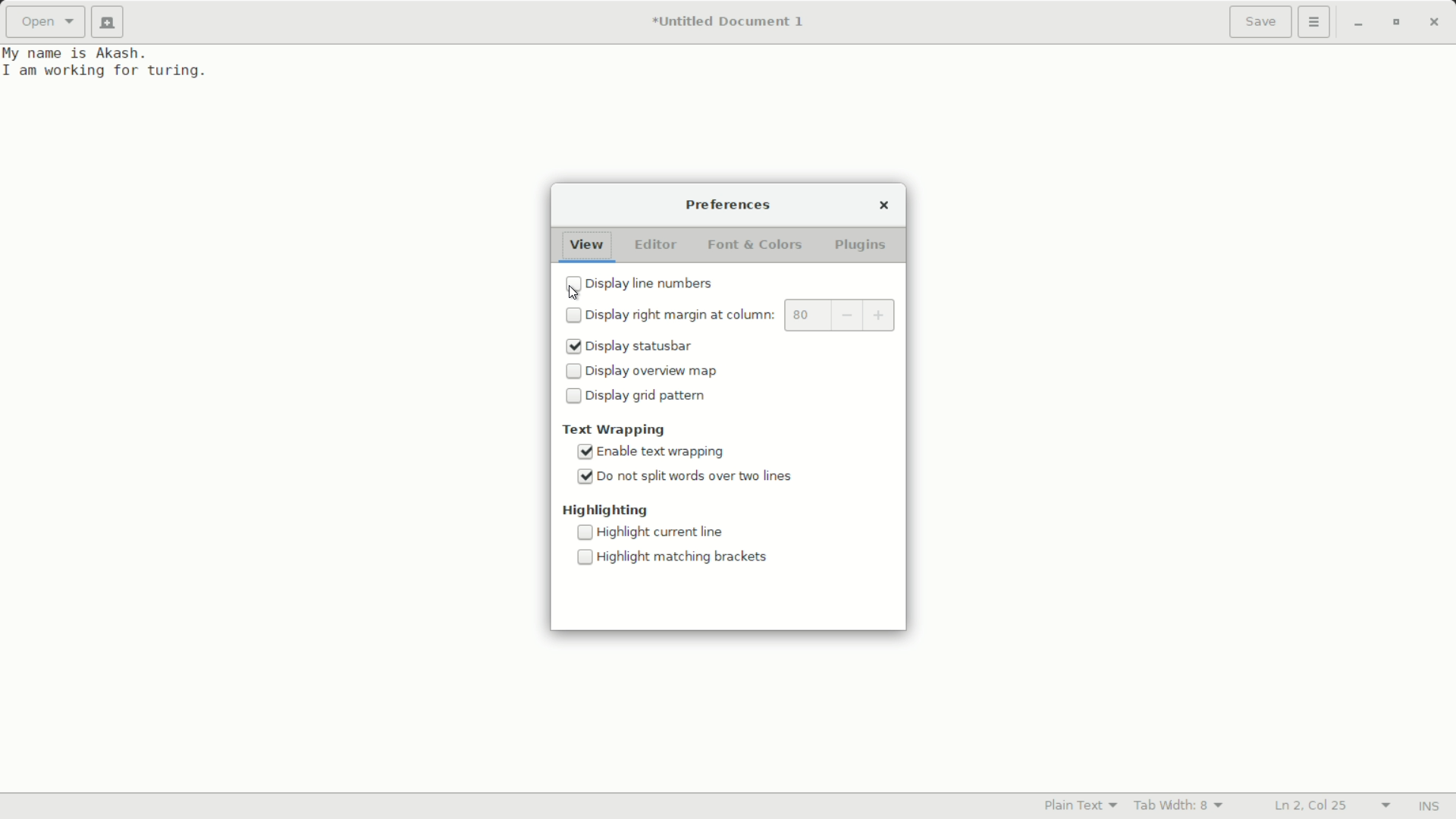  I want to click on view, so click(588, 249).